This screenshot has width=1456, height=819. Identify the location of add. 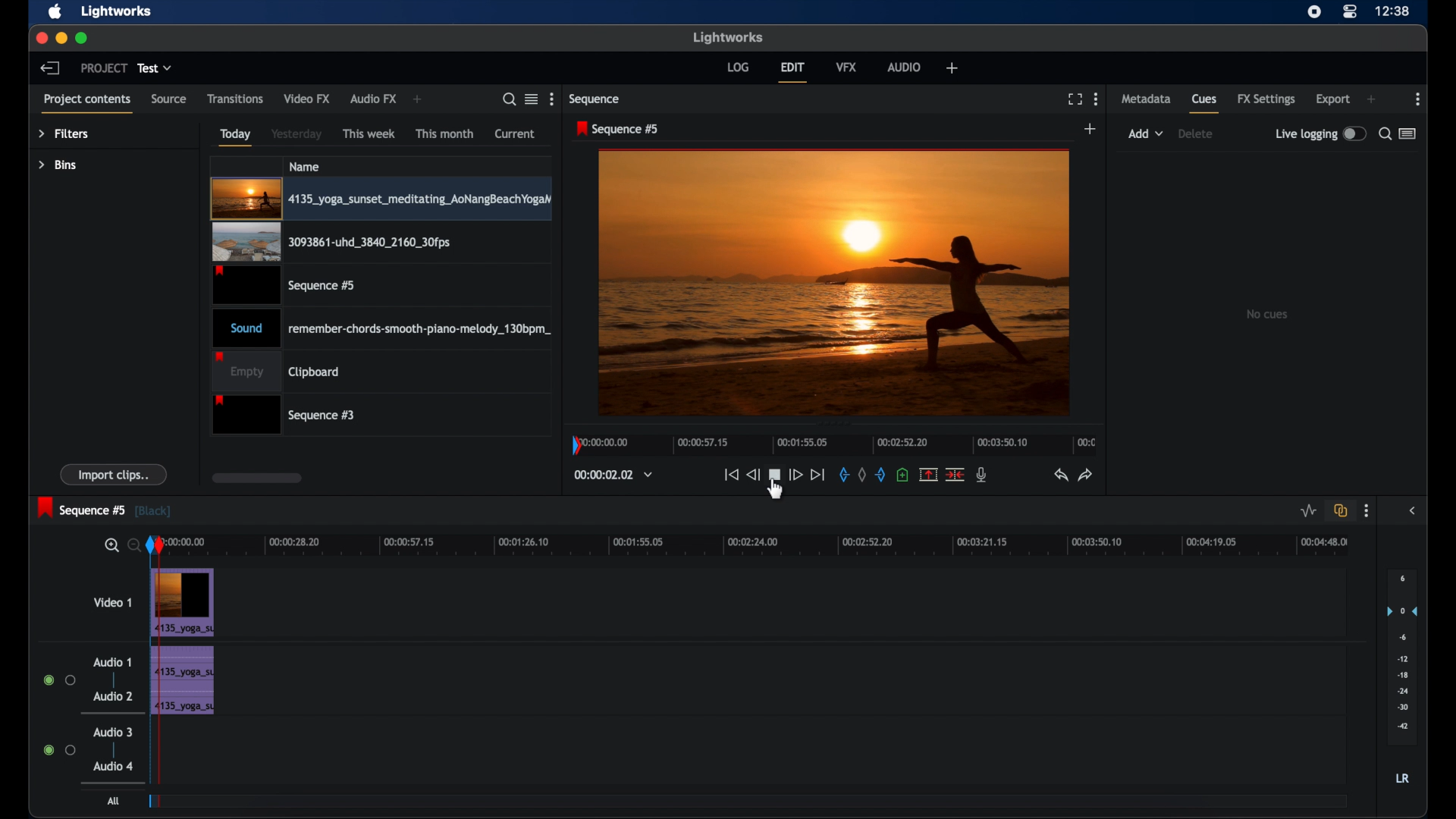
(952, 69).